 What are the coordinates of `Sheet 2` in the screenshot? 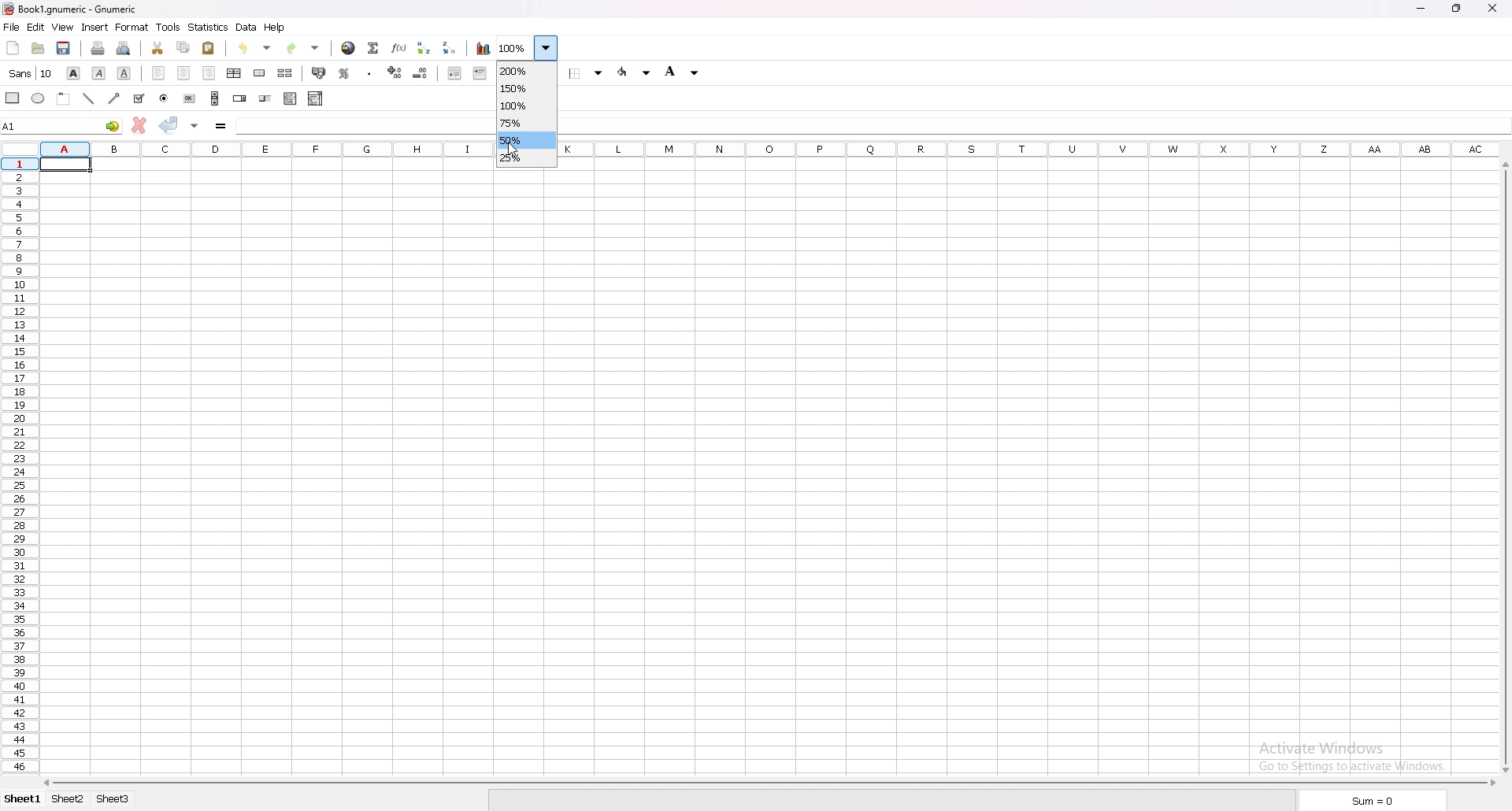 It's located at (65, 801).